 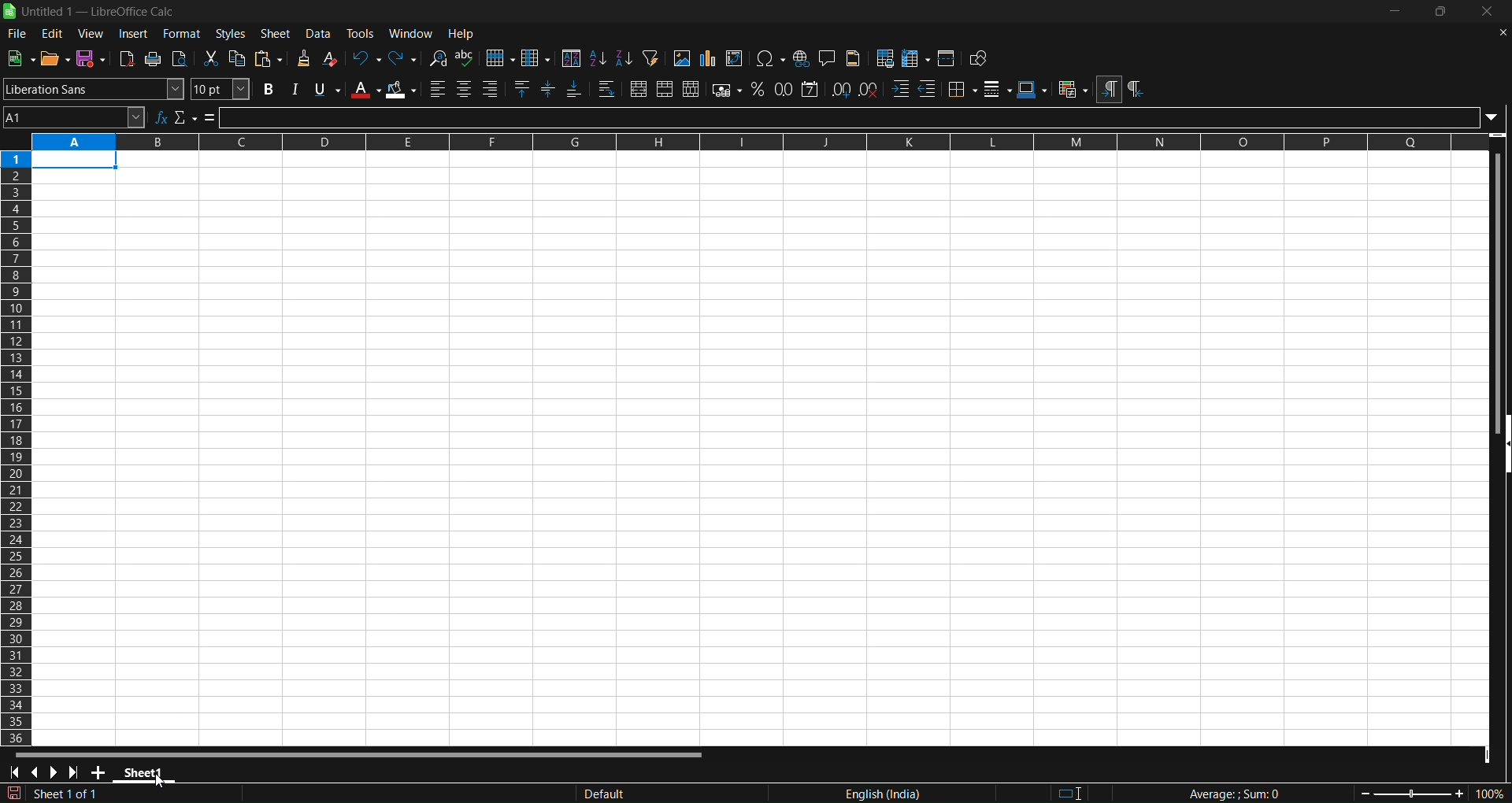 What do you see at coordinates (770, 59) in the screenshot?
I see `insert special characters` at bounding box center [770, 59].